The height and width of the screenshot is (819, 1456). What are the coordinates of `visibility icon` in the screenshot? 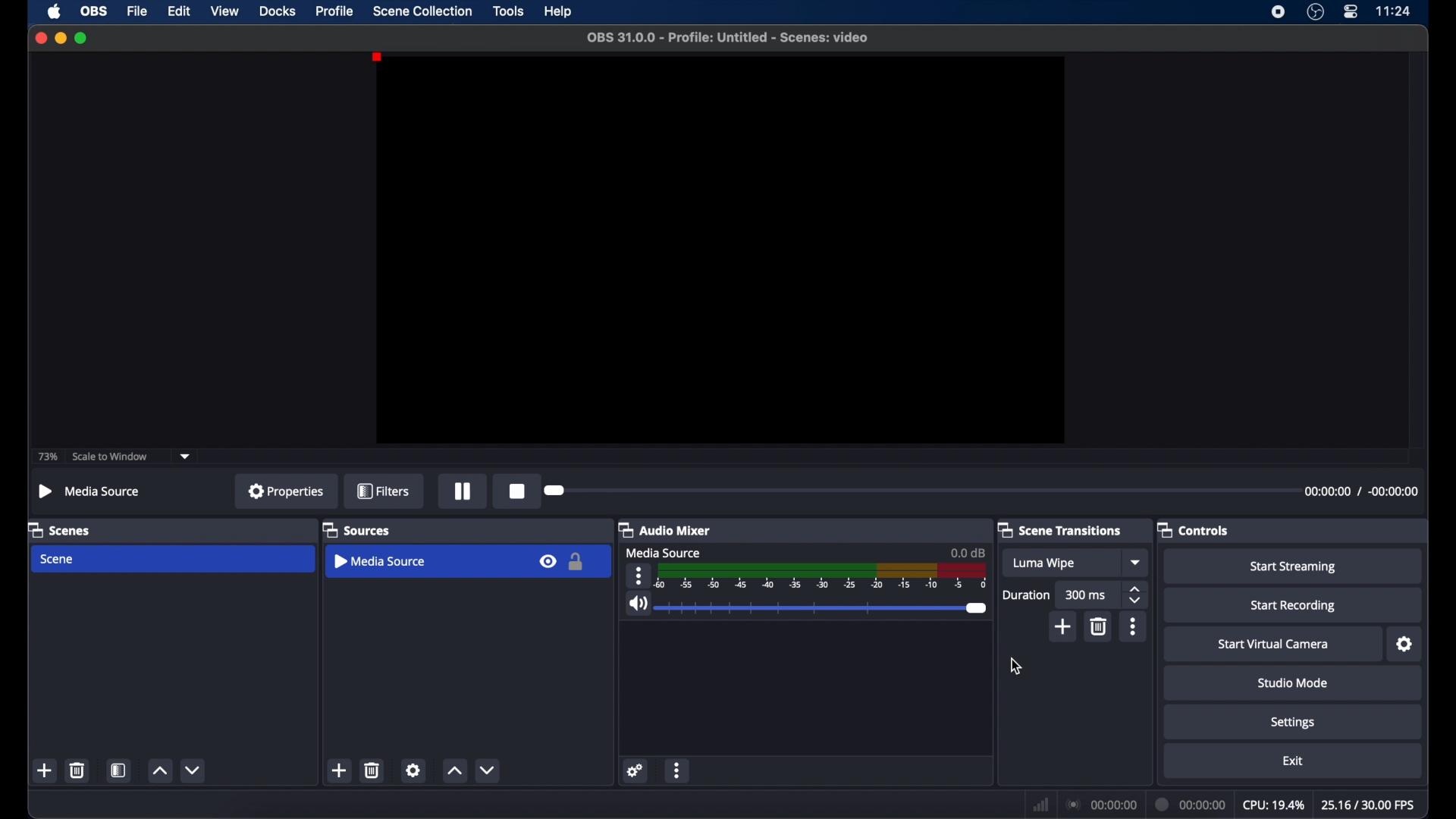 It's located at (546, 563).